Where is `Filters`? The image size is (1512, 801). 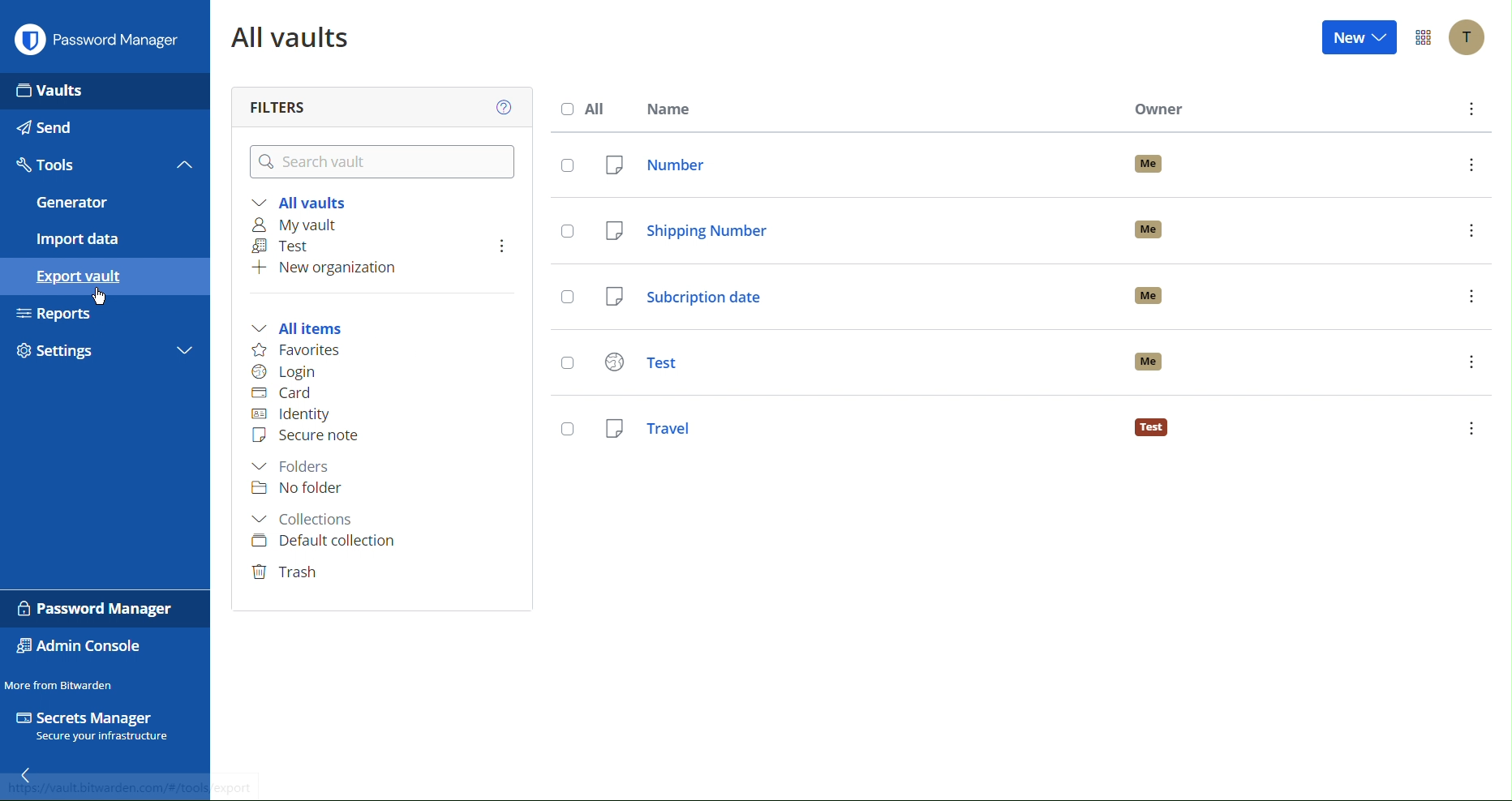
Filters is located at coordinates (278, 108).